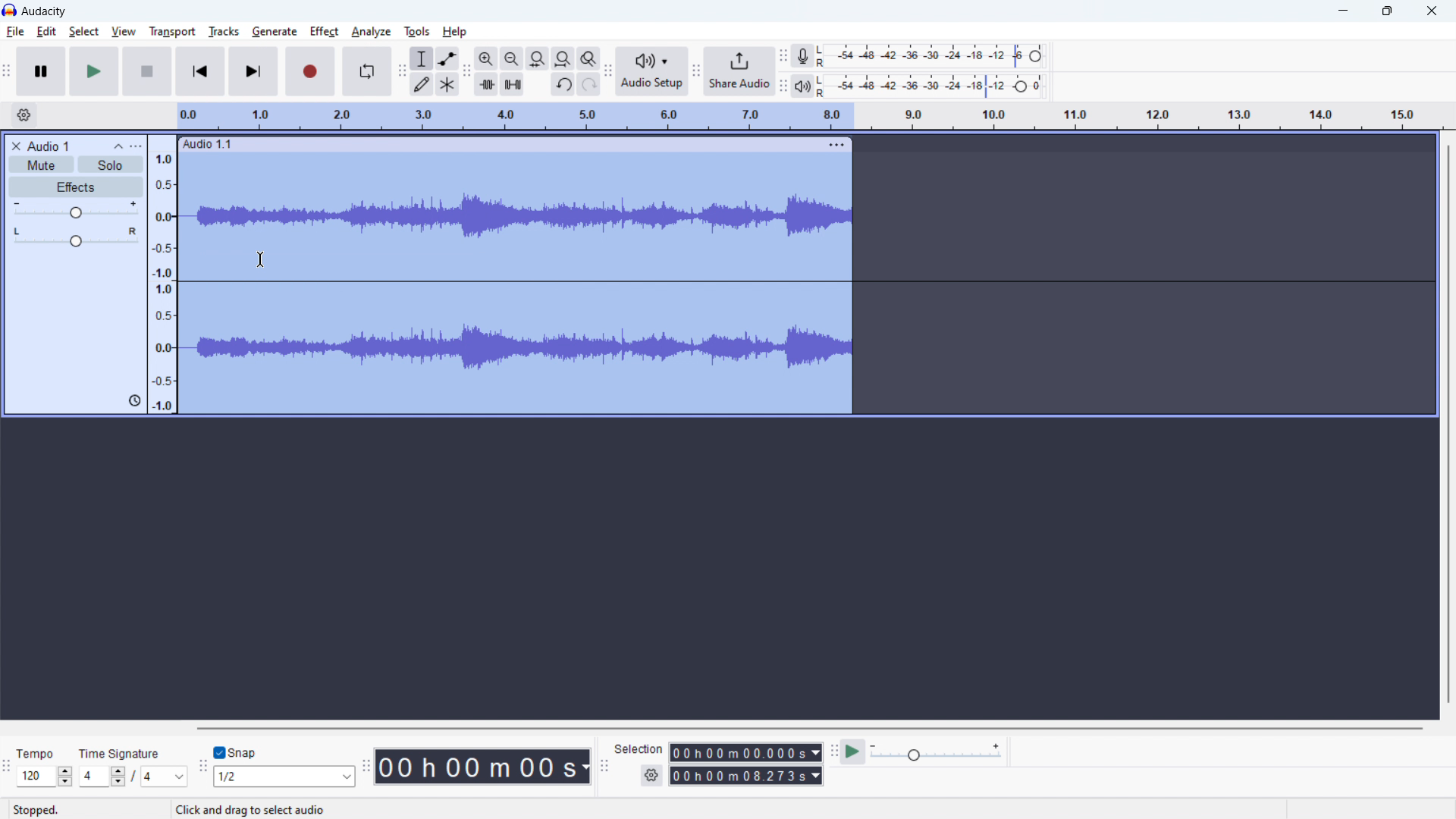  I want to click on playback speed, so click(937, 752).